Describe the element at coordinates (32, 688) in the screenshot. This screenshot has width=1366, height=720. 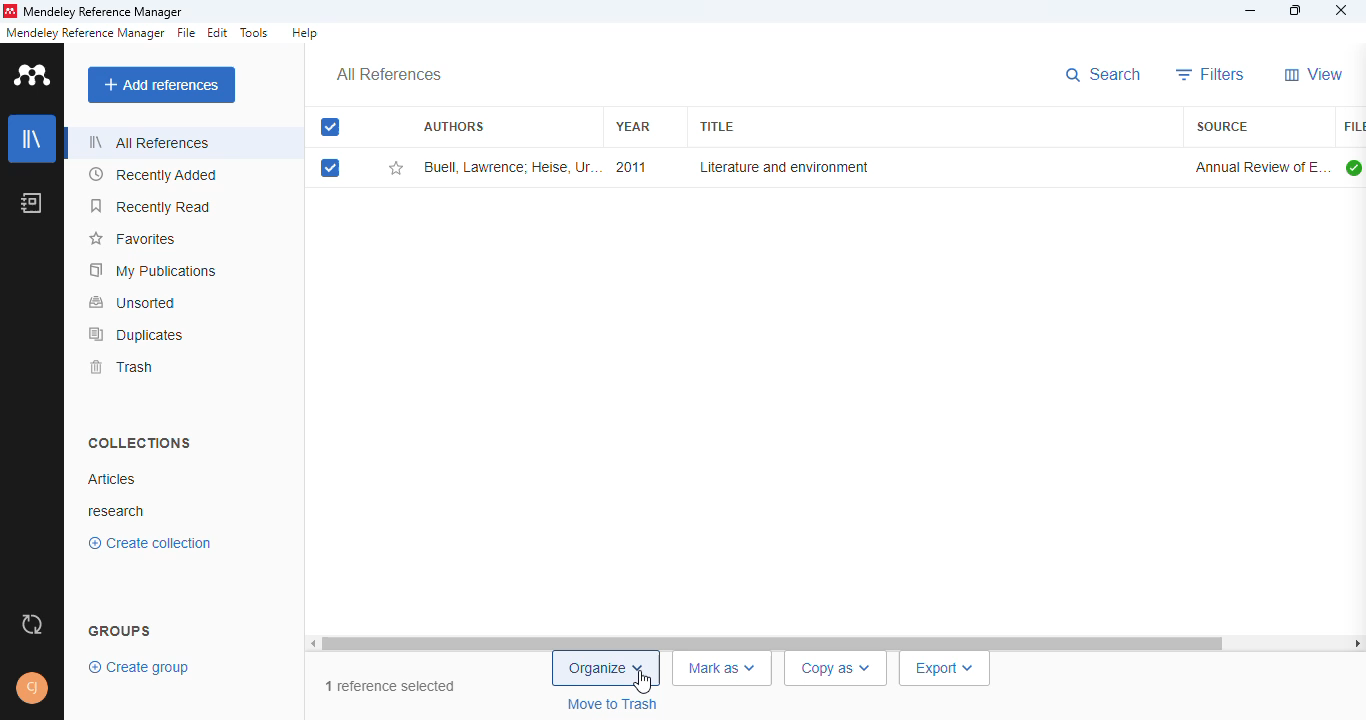
I see `profile` at that location.